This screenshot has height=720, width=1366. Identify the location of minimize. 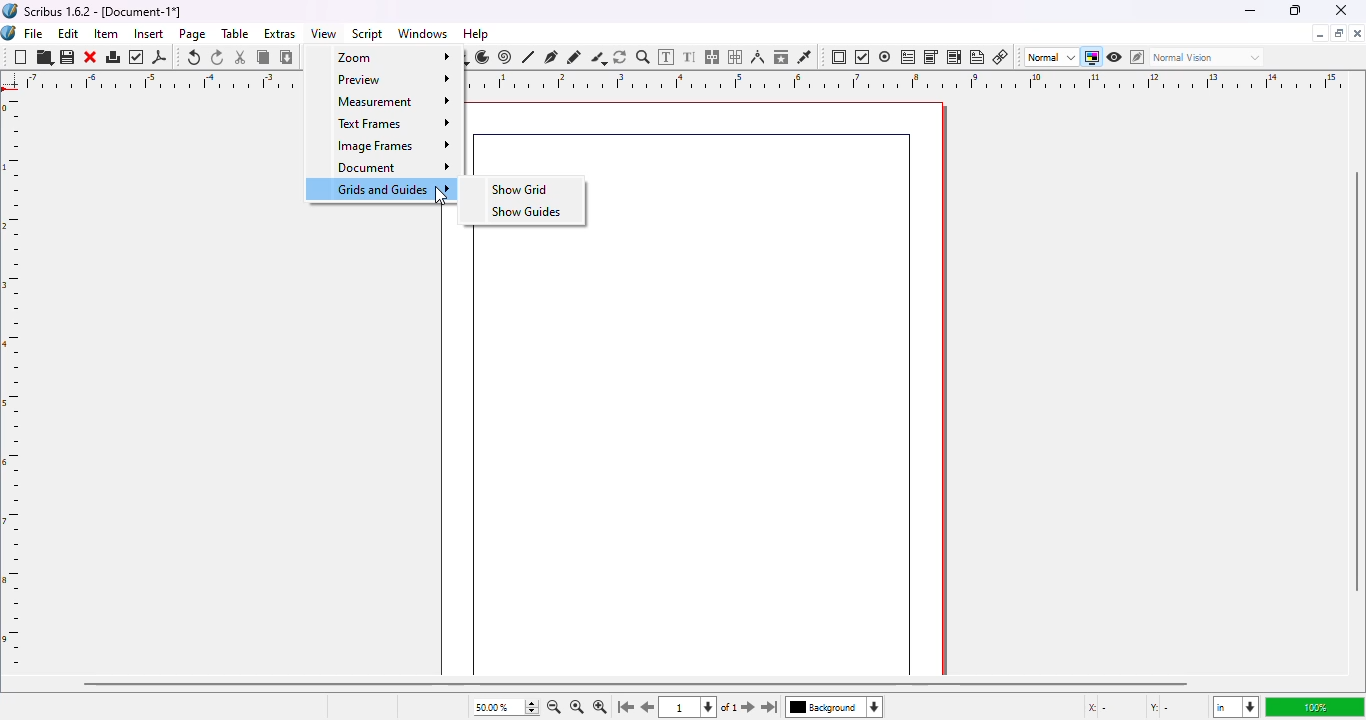
(1319, 34).